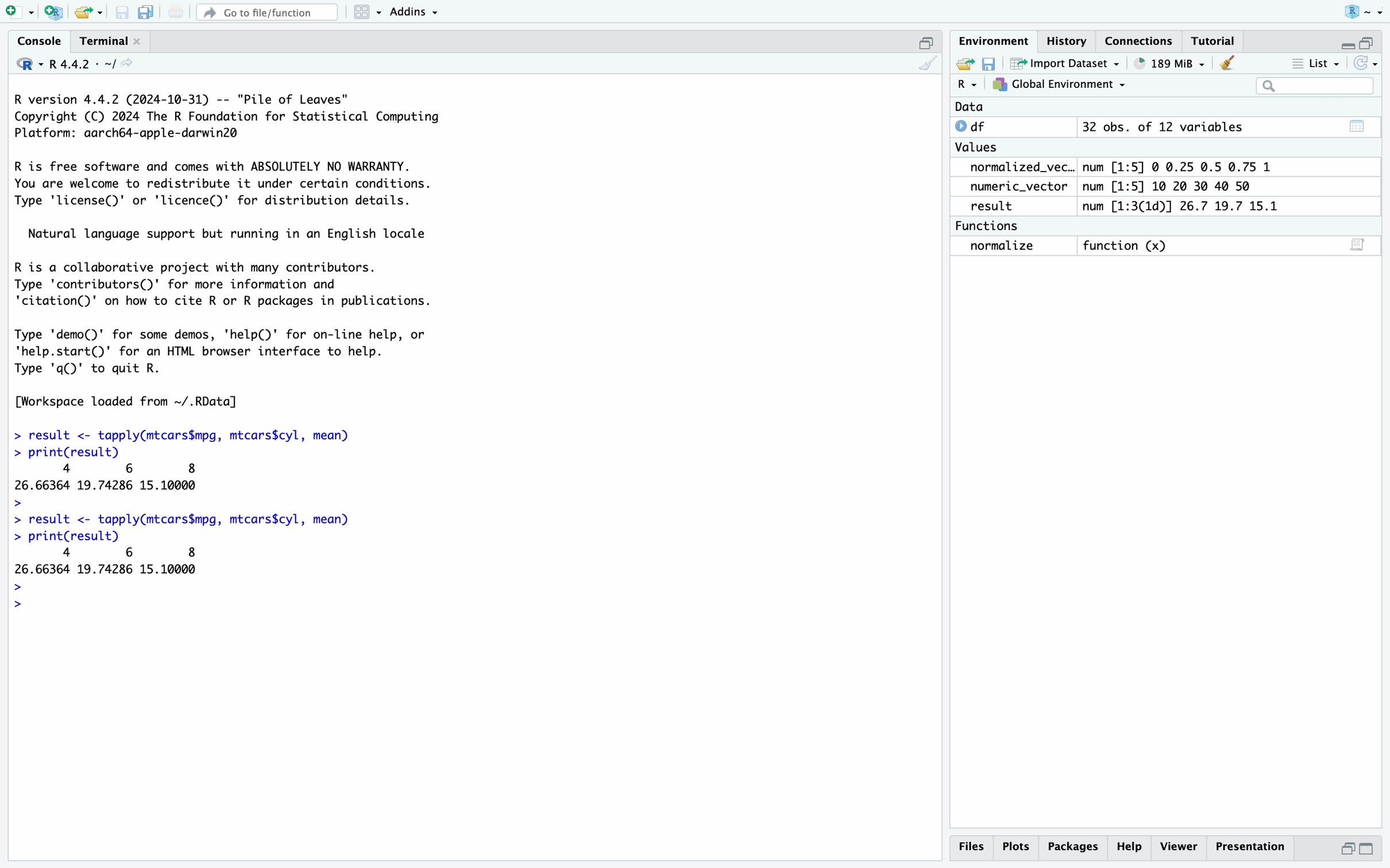 The width and height of the screenshot is (1390, 868). Describe the element at coordinates (1370, 850) in the screenshot. I see `Full Height` at that location.